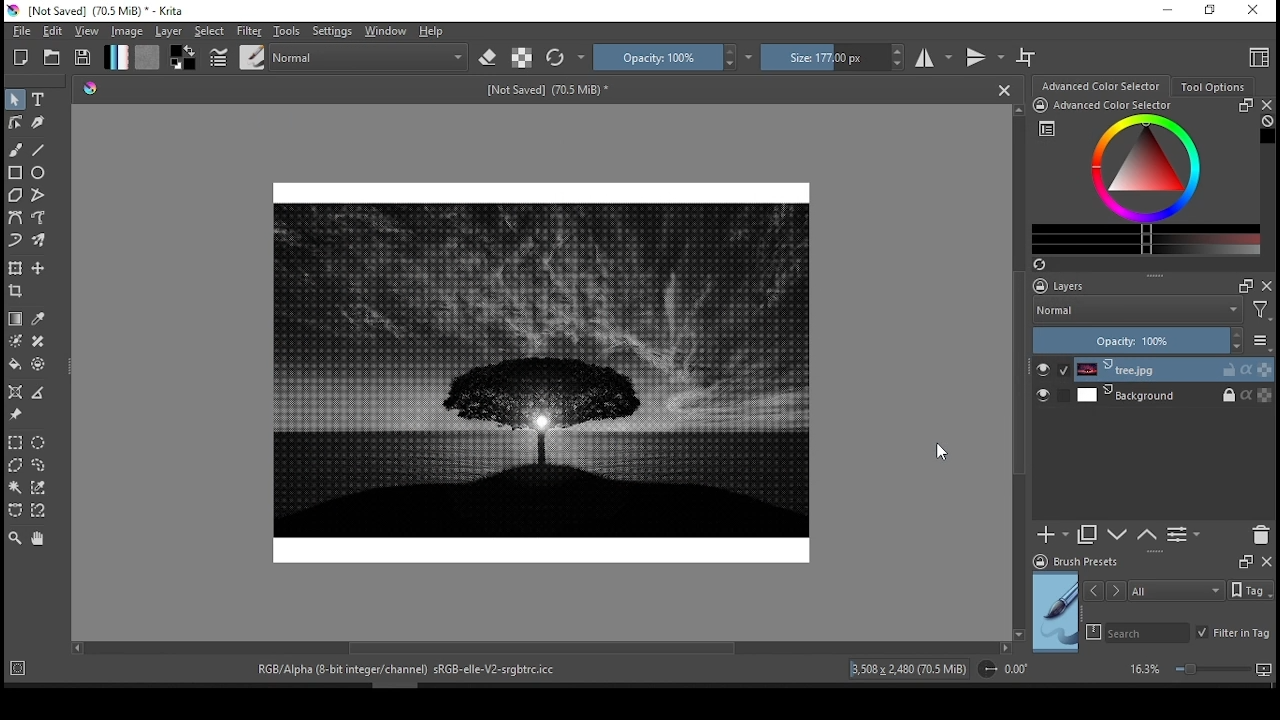  What do you see at coordinates (1087, 536) in the screenshot?
I see `duplicate layer` at bounding box center [1087, 536].